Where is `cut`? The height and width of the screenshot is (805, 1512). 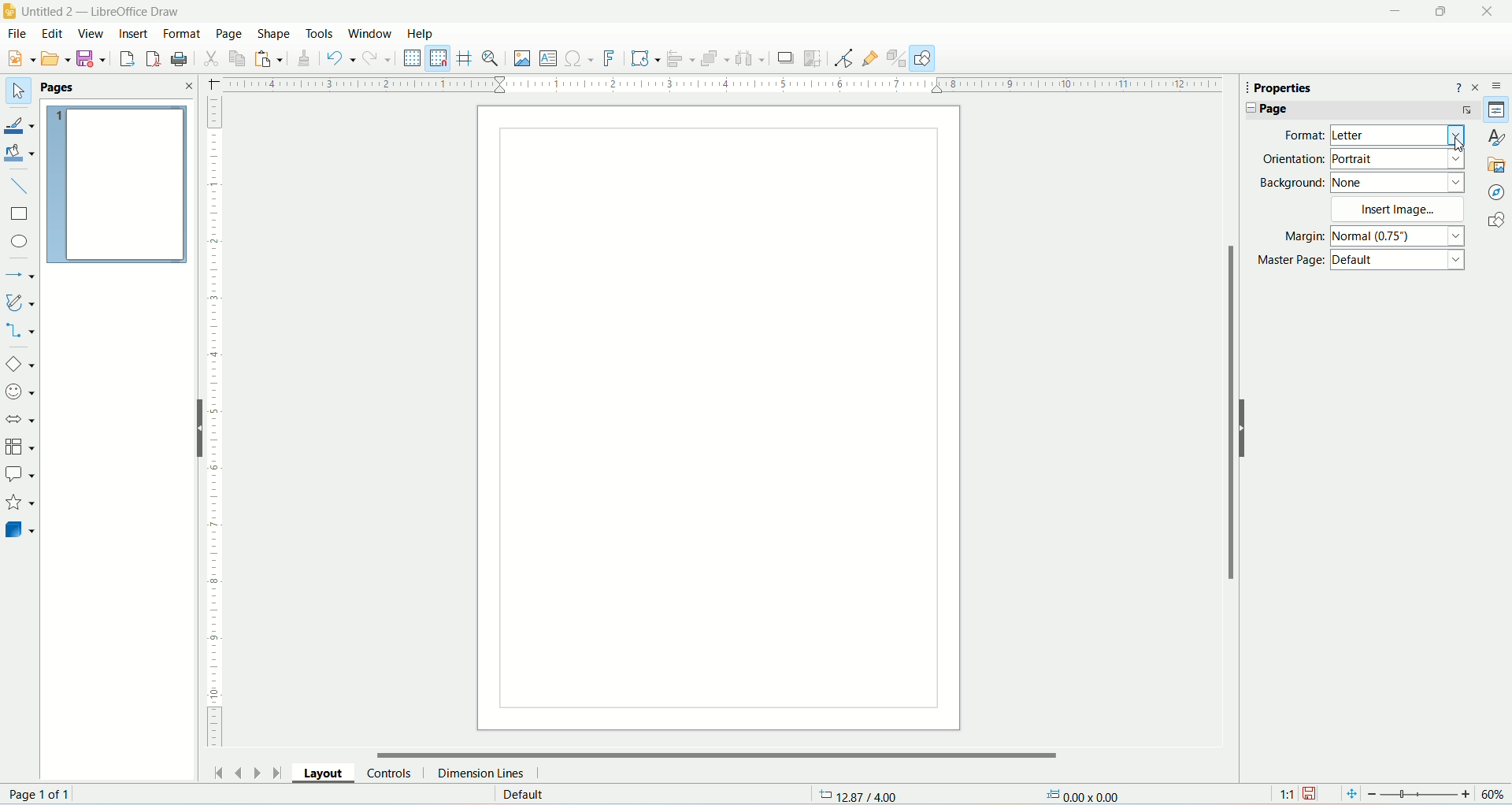
cut is located at coordinates (214, 57).